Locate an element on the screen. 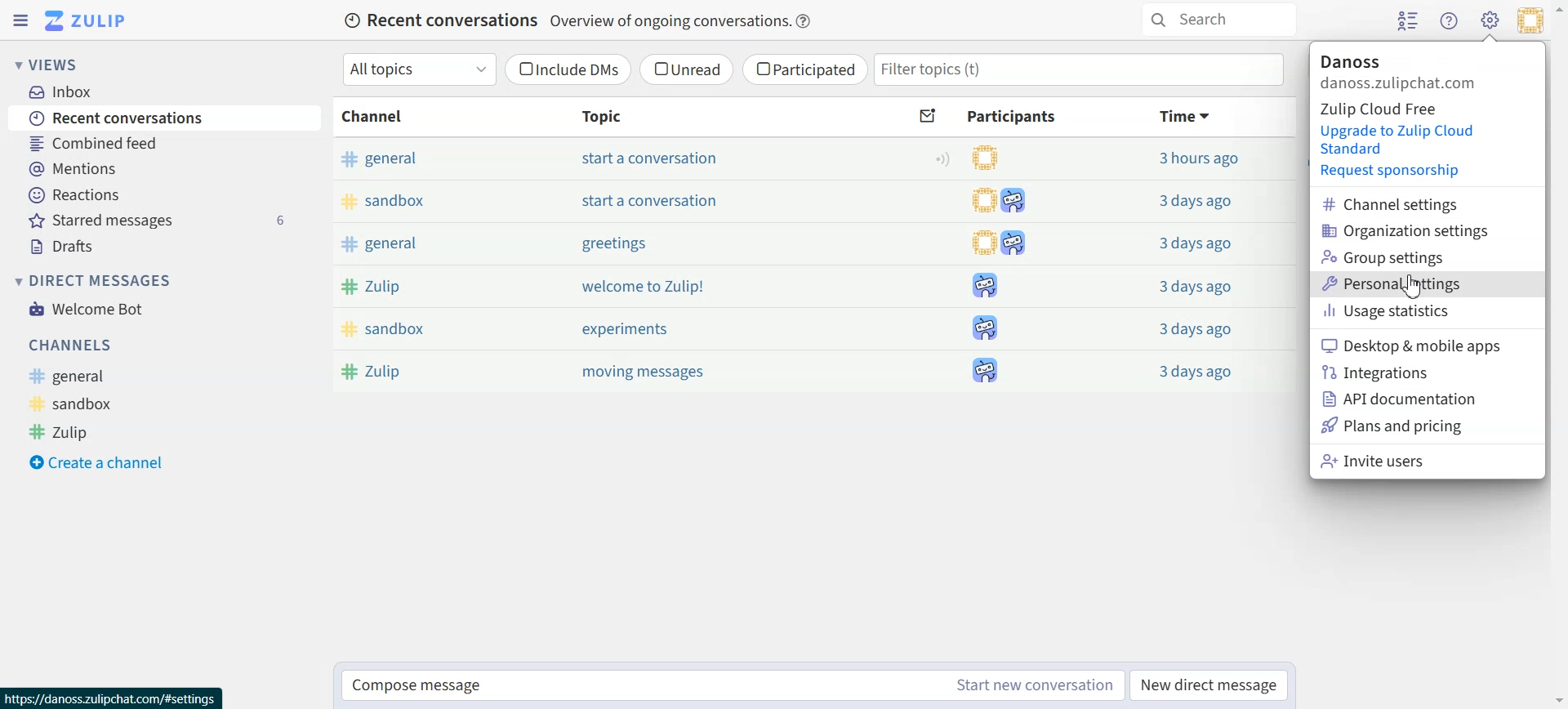  Personal settings is located at coordinates (1427, 284).